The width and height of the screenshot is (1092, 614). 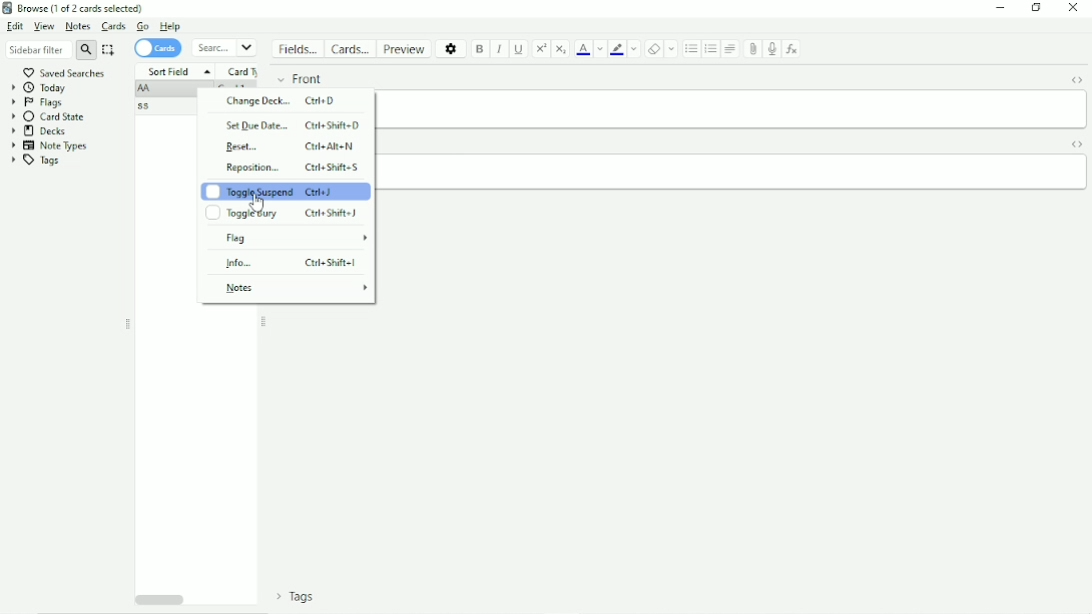 I want to click on Select formatting to remove, so click(x=672, y=49).